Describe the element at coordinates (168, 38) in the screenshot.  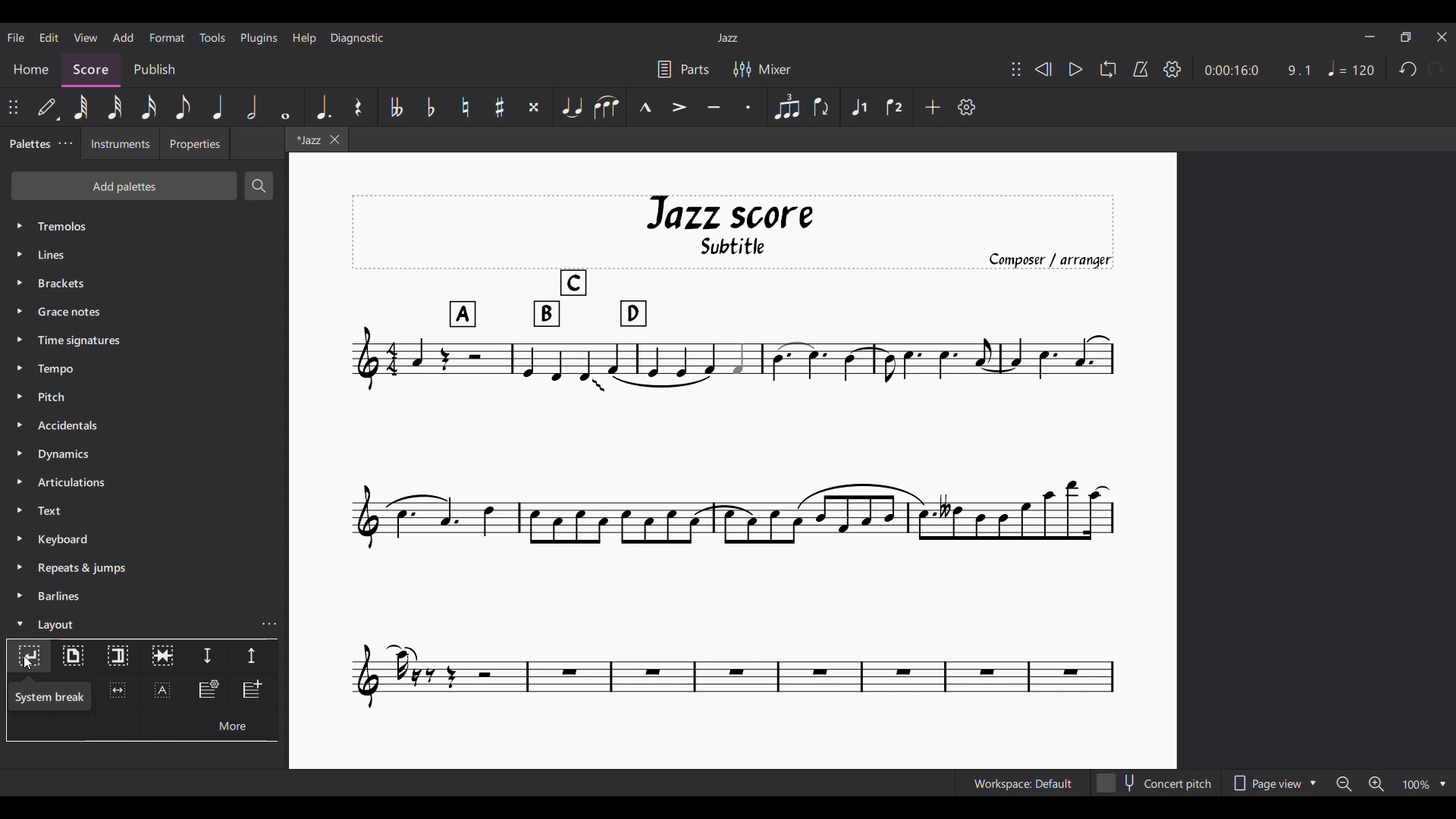
I see `Format menu` at that location.